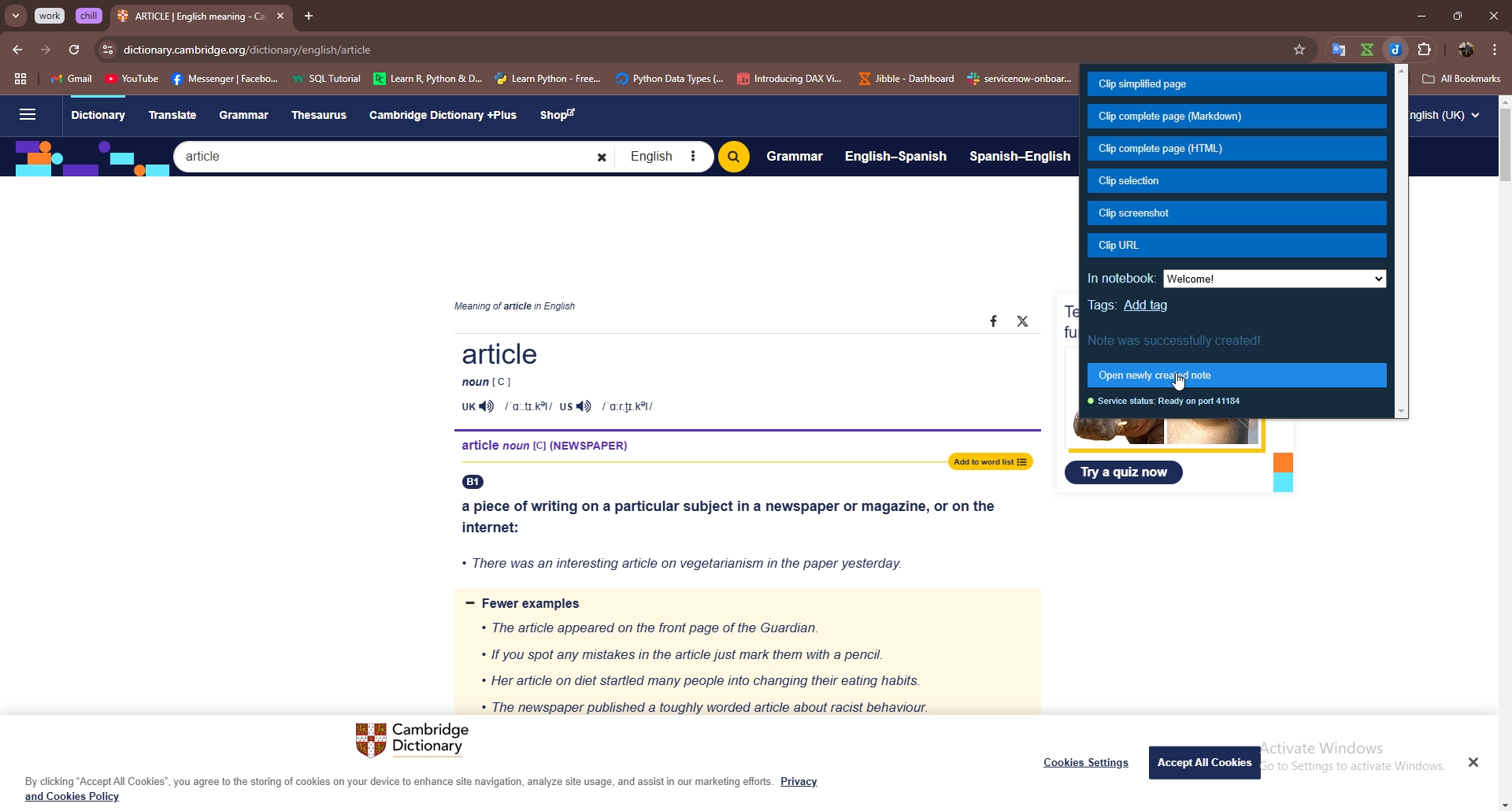 The width and height of the screenshot is (1512, 811). What do you see at coordinates (1087, 762) in the screenshot?
I see `Cookies Settings` at bounding box center [1087, 762].